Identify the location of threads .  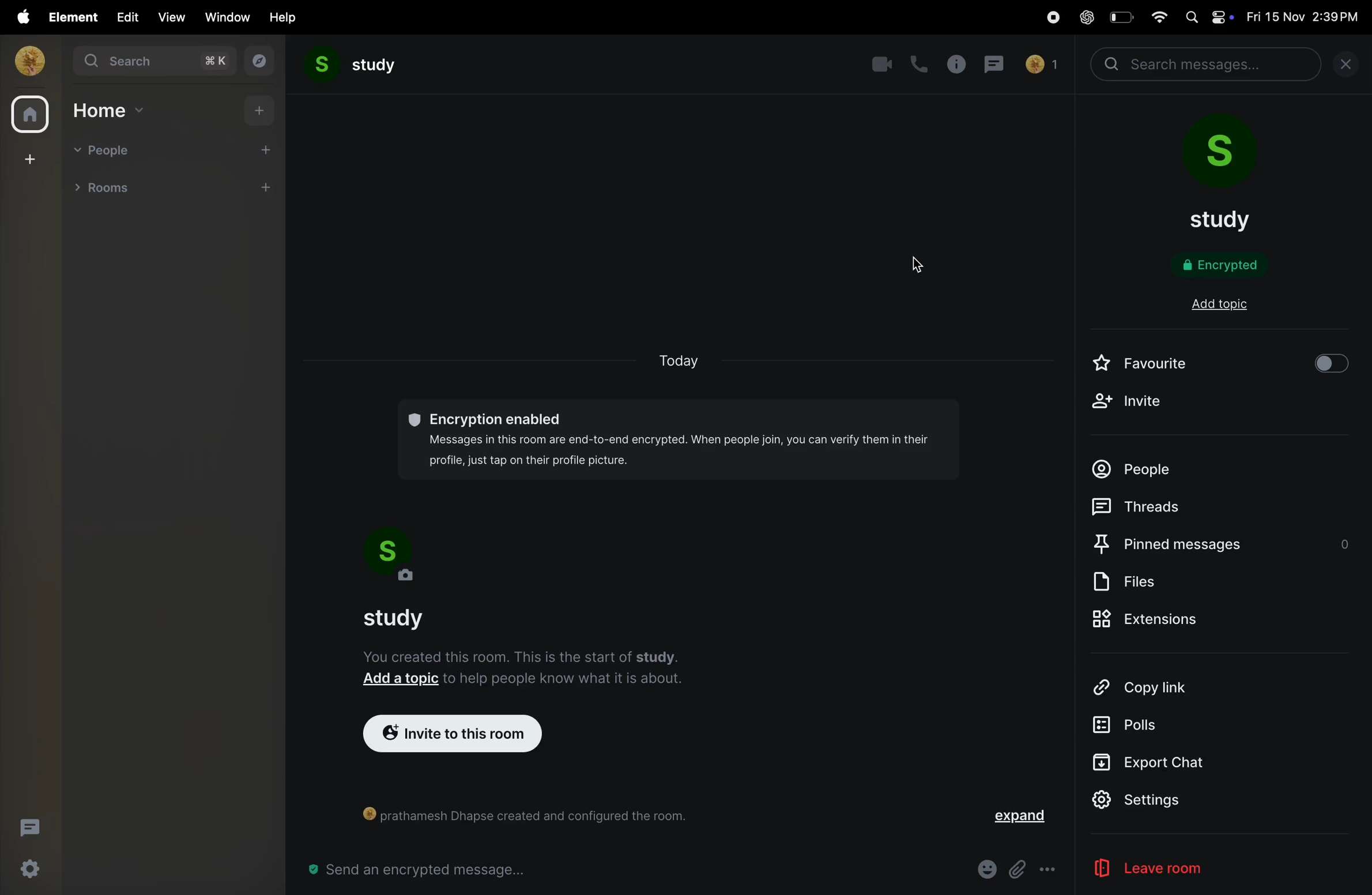
(29, 826).